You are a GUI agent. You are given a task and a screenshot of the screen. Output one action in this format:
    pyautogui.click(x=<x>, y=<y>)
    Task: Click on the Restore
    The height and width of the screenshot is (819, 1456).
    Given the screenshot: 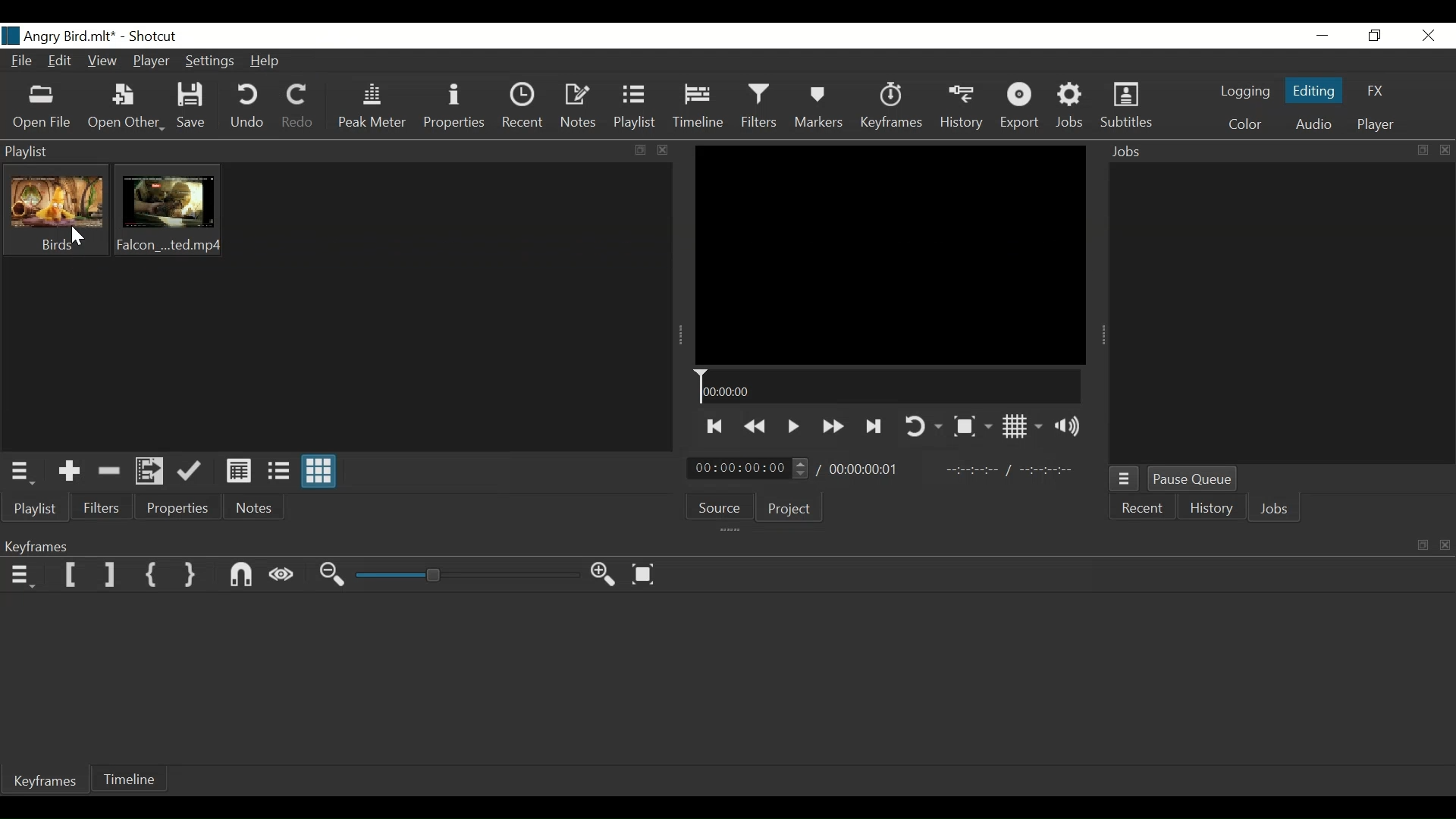 What is the action you would take?
    pyautogui.click(x=1376, y=35)
    